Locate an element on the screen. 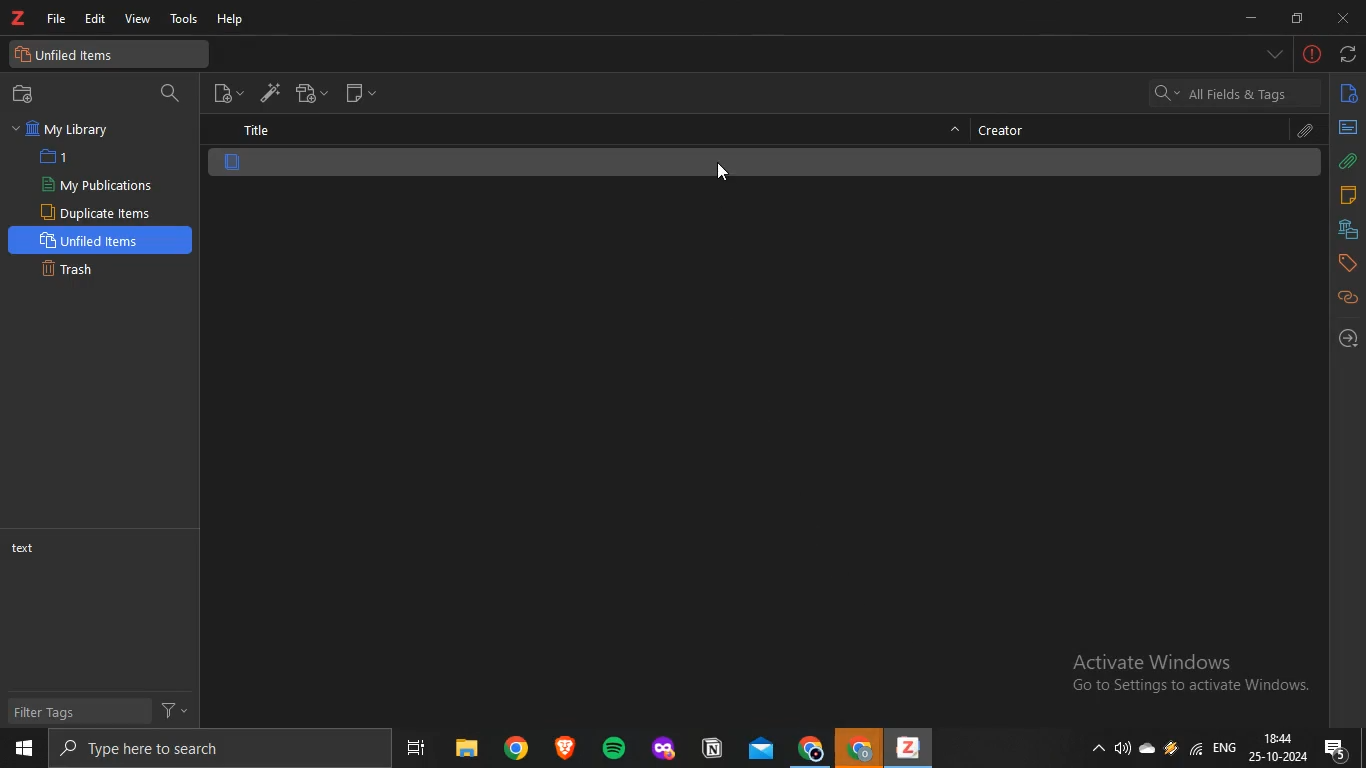  date is located at coordinates (1276, 758).